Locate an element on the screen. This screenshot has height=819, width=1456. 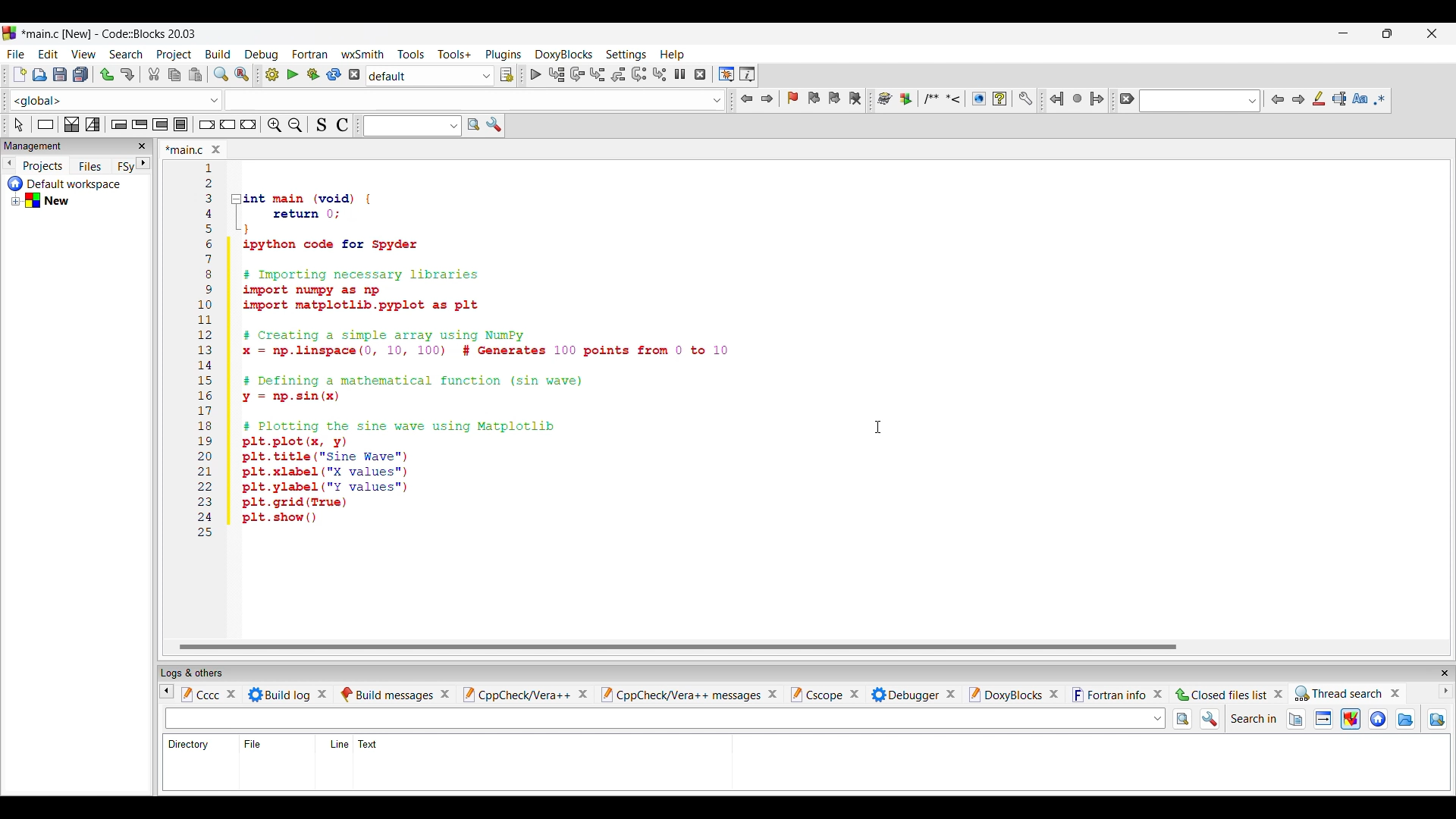
Save everything is located at coordinates (81, 74).